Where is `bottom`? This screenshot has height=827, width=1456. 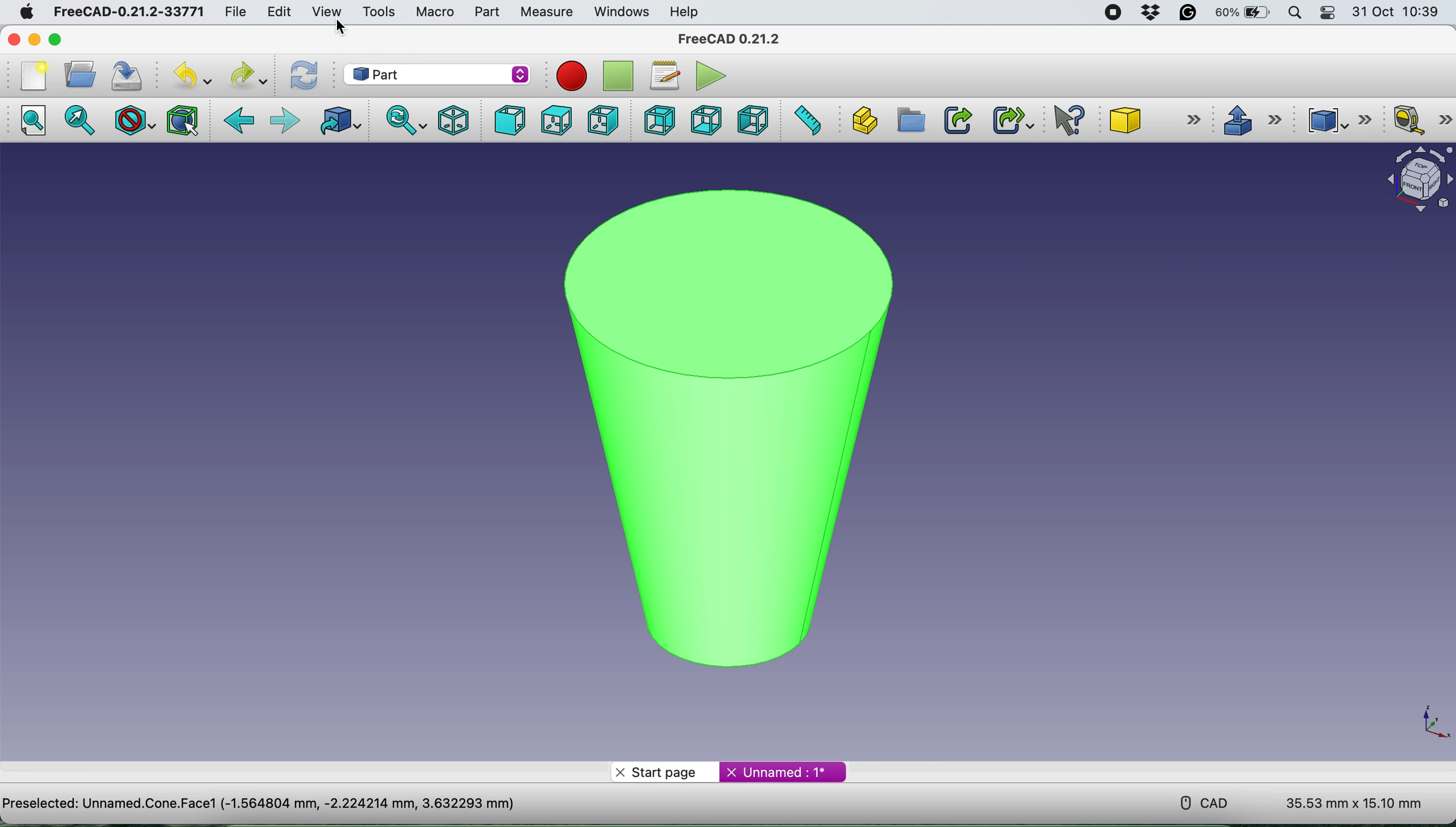 bottom is located at coordinates (703, 119).